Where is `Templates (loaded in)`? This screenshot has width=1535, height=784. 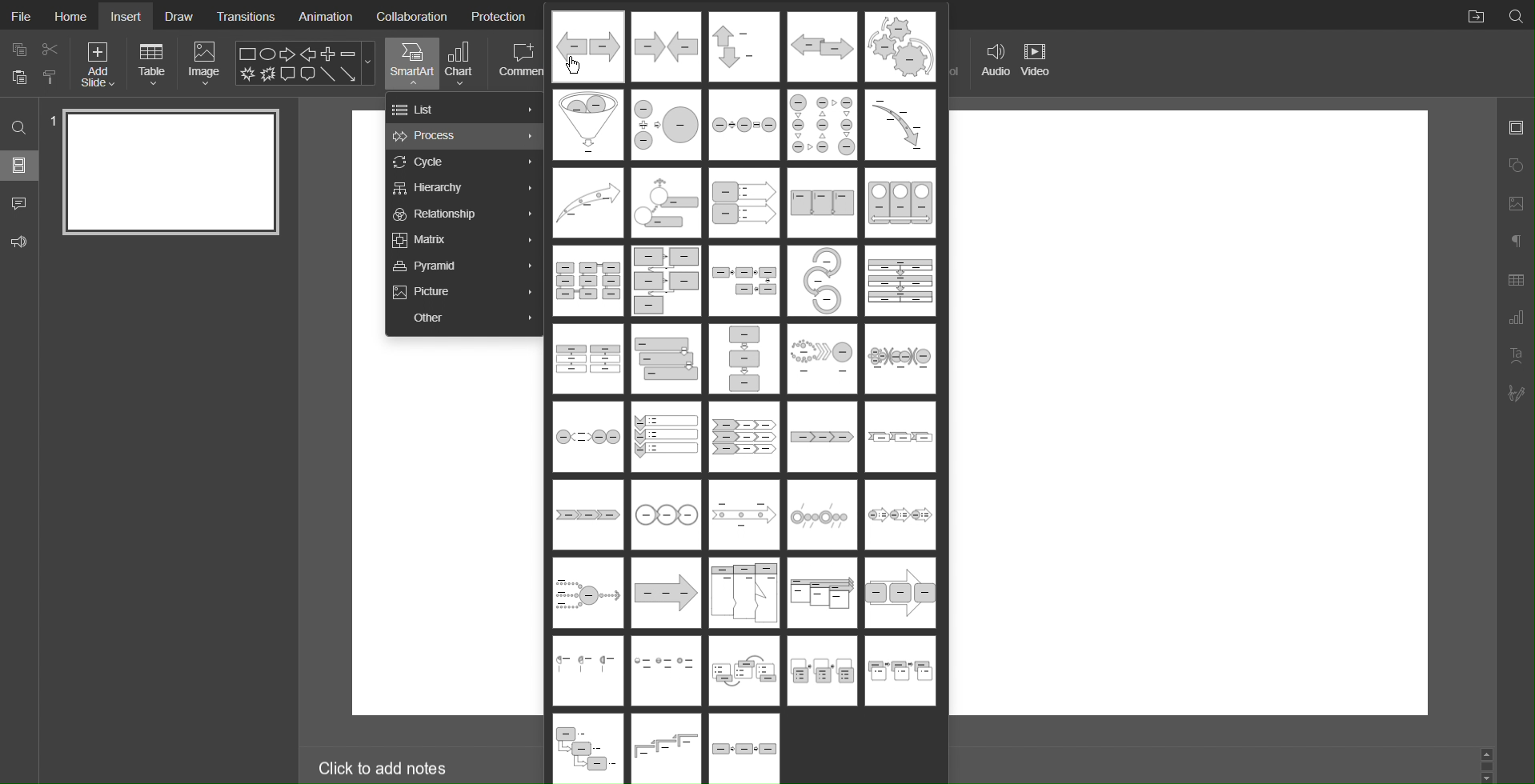 Templates (loaded in) is located at coordinates (743, 554).